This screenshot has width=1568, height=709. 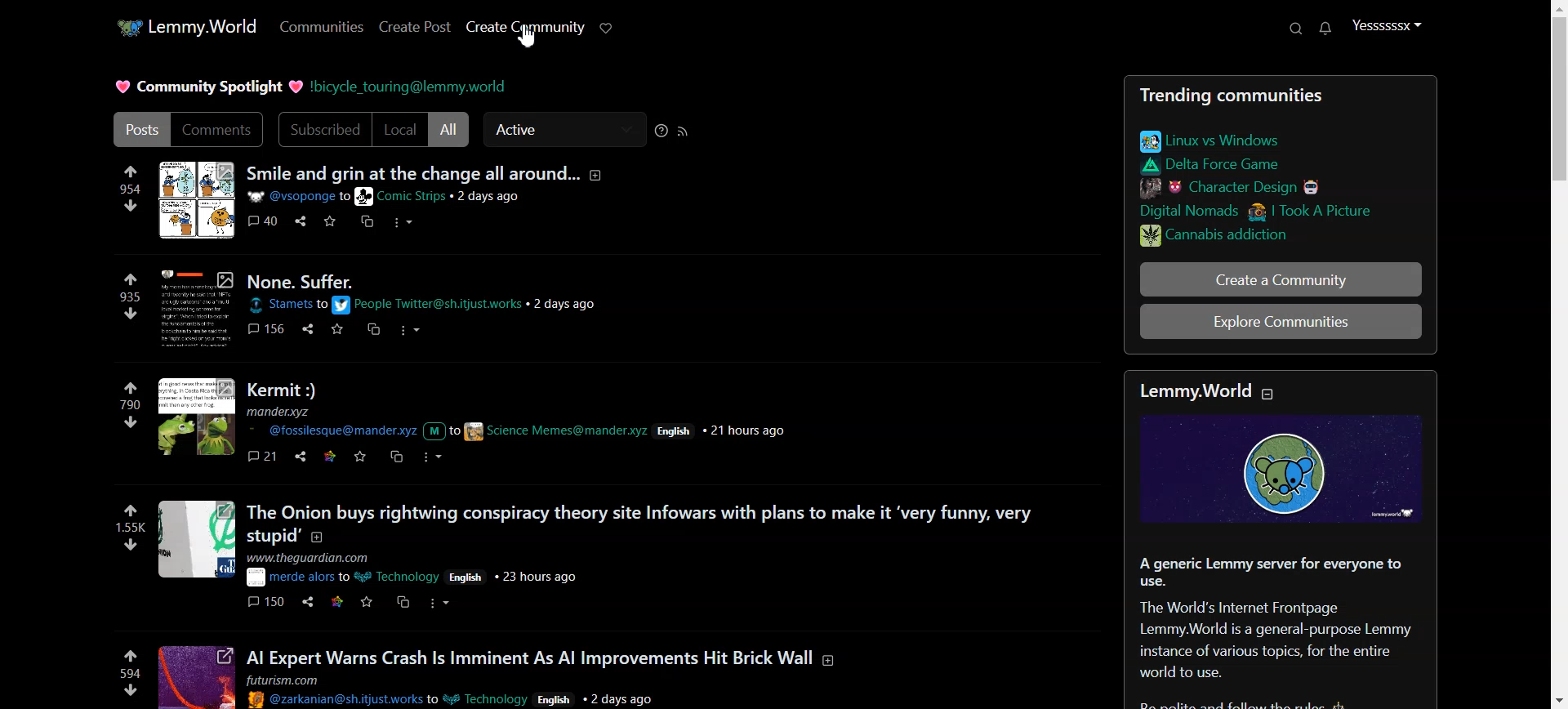 What do you see at coordinates (1387, 25) in the screenshot?
I see `Profile` at bounding box center [1387, 25].